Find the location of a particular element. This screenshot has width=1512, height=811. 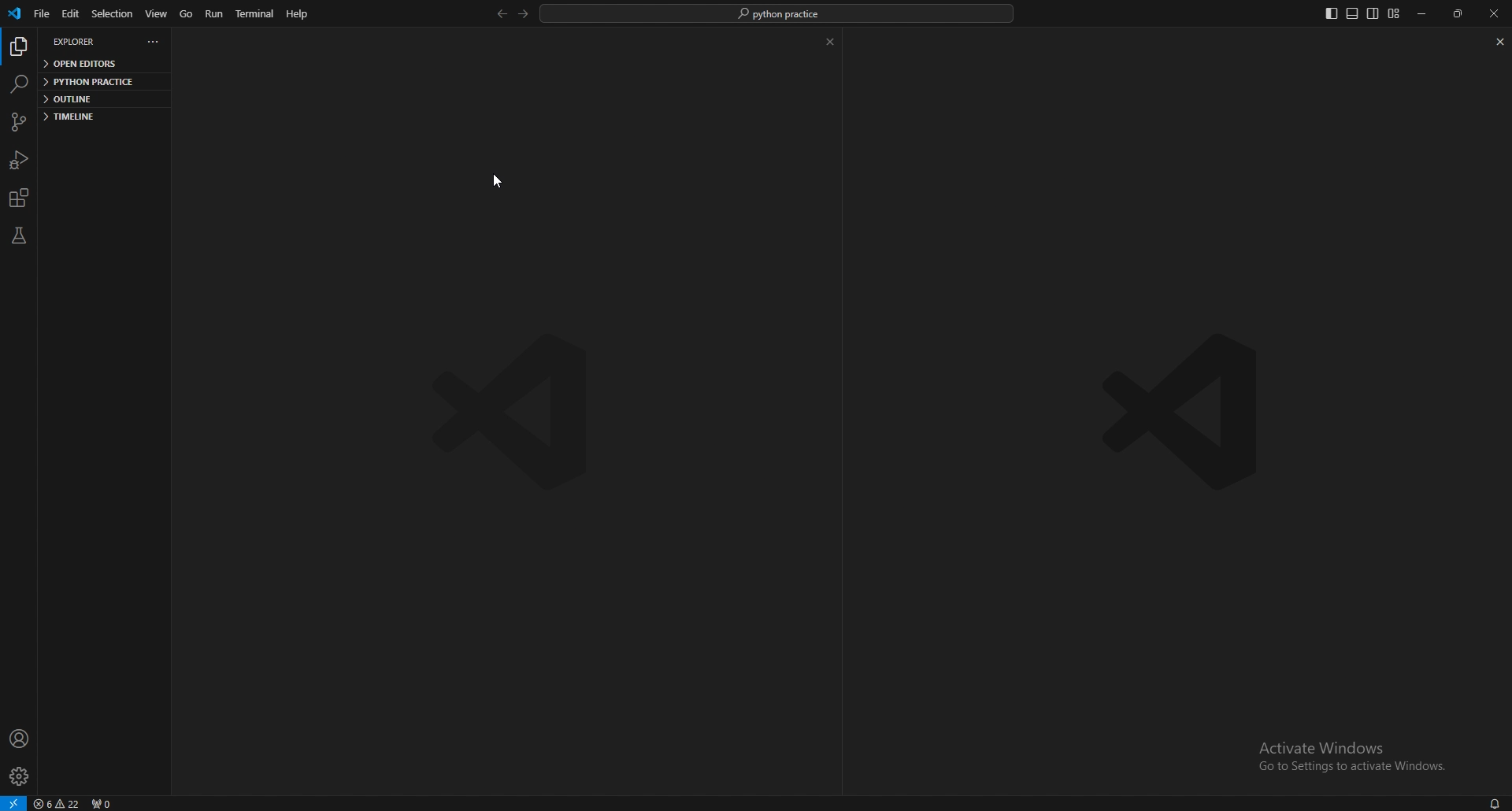

remote window is located at coordinates (14, 802).